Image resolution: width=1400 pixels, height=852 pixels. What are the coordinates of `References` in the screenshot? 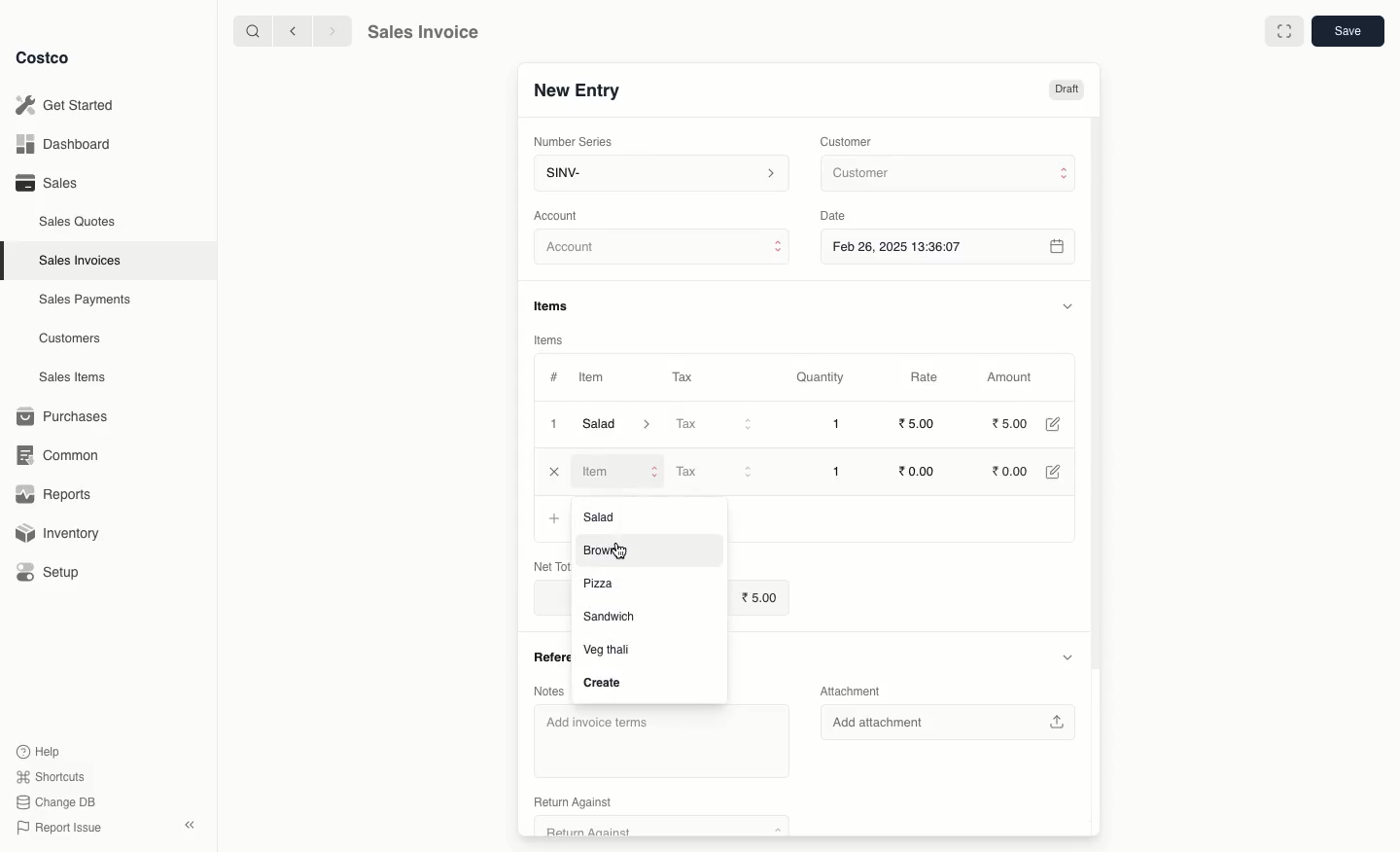 It's located at (544, 654).